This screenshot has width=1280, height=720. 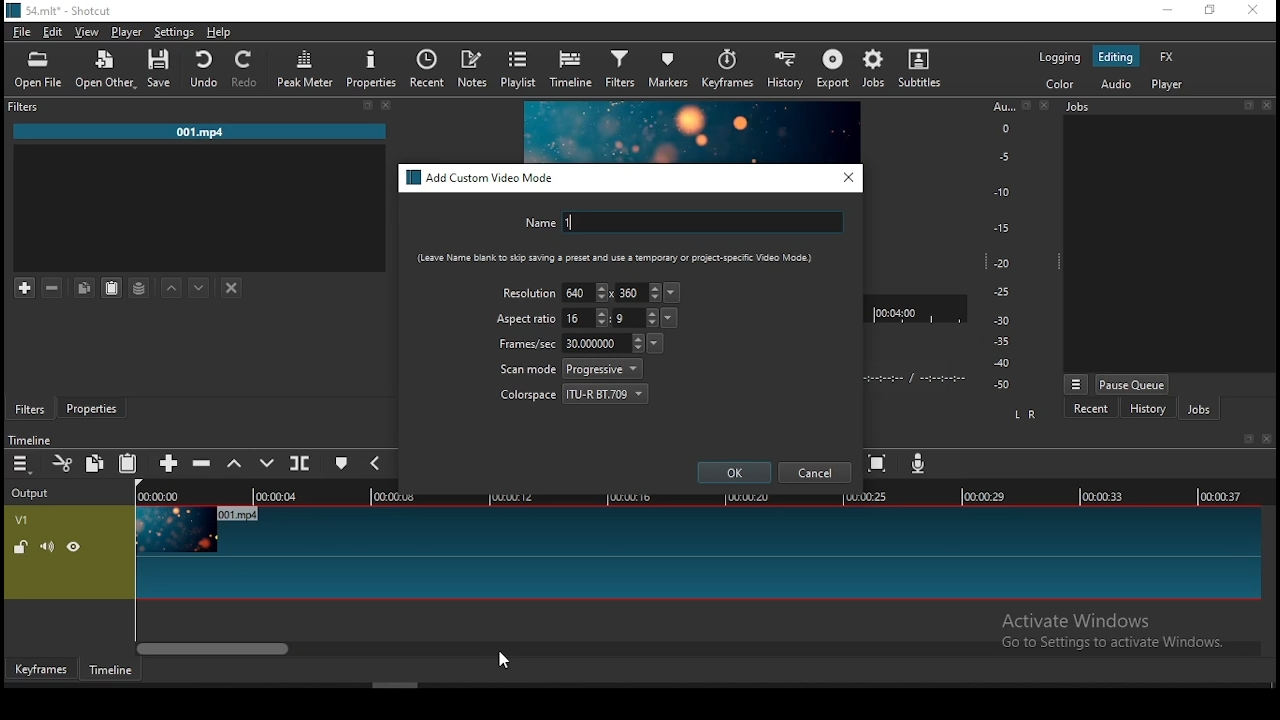 I want to click on recent, so click(x=427, y=66).